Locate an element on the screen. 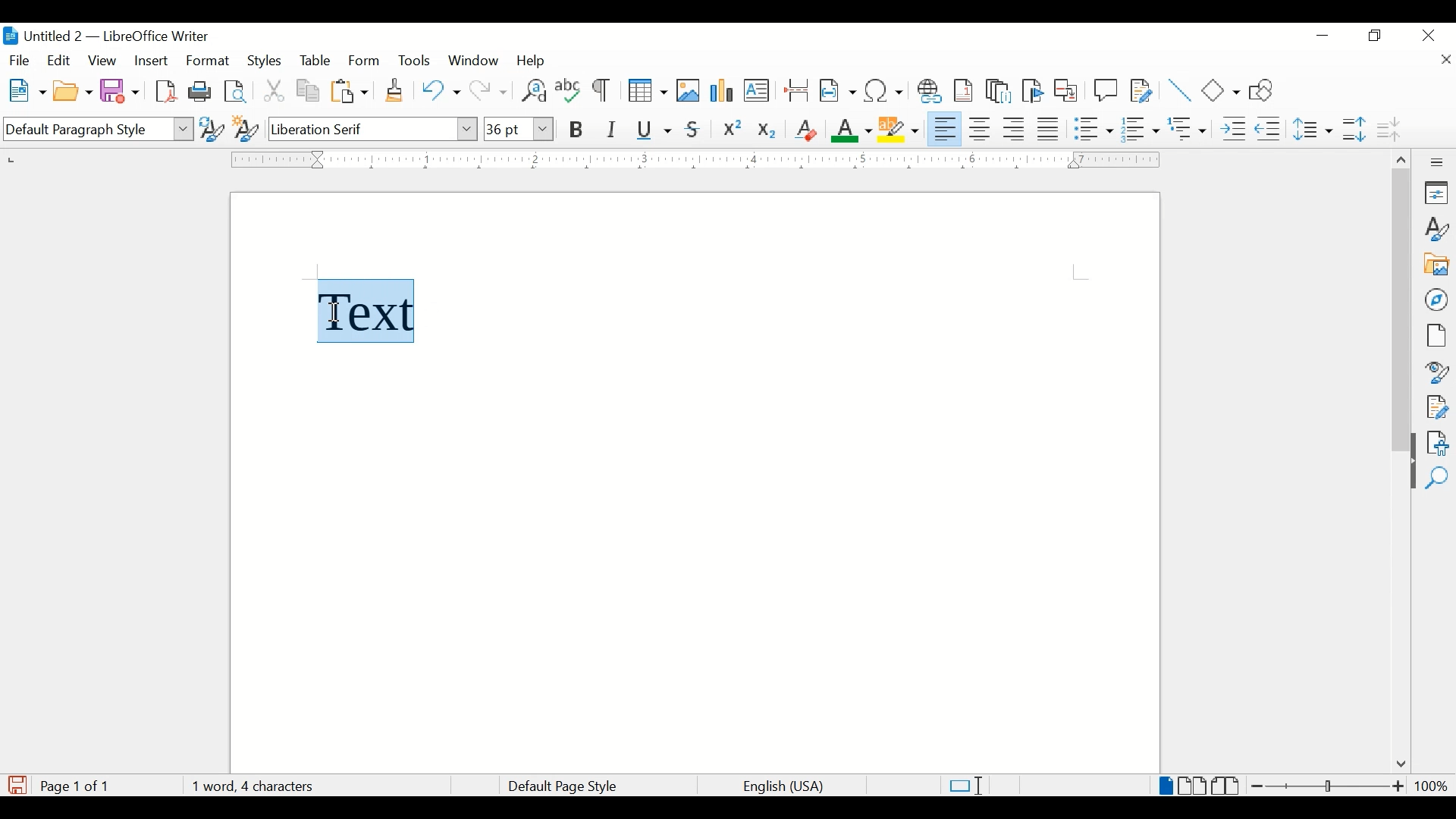 This screenshot has height=819, width=1456. undo is located at coordinates (441, 90).